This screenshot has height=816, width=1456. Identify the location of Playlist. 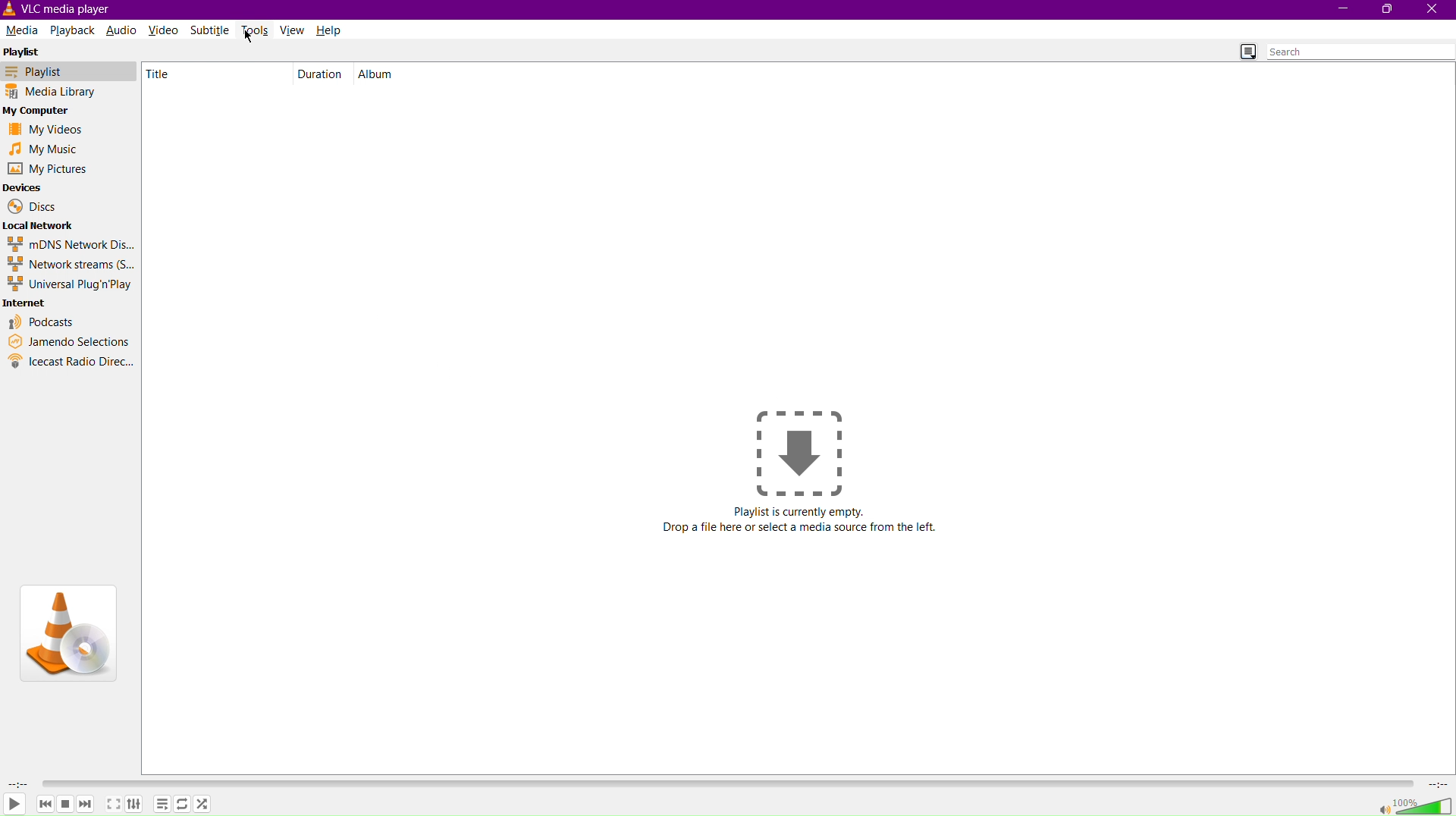
(35, 52).